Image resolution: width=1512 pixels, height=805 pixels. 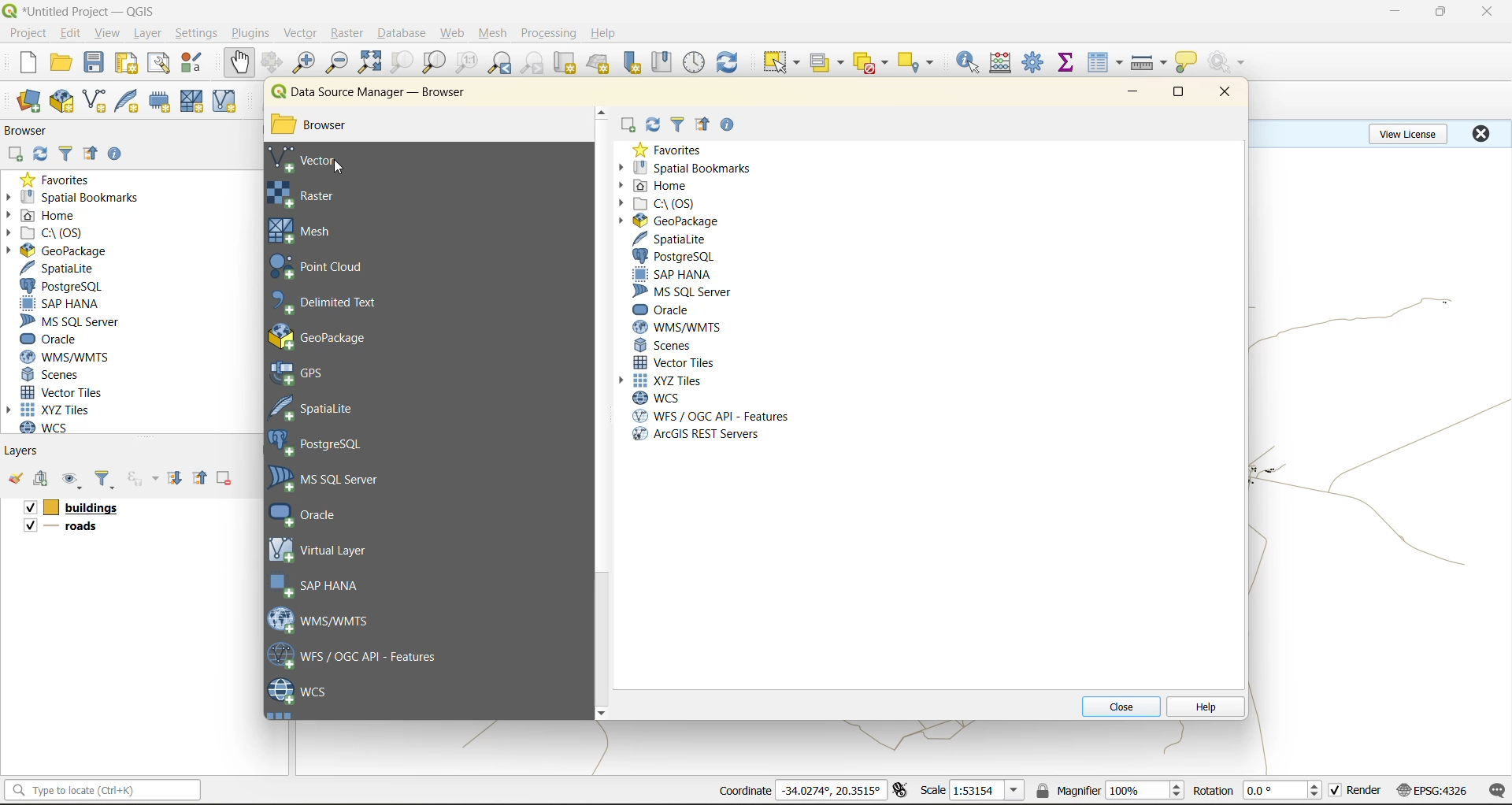 What do you see at coordinates (1144, 790) in the screenshot?
I see `magnifier` at bounding box center [1144, 790].